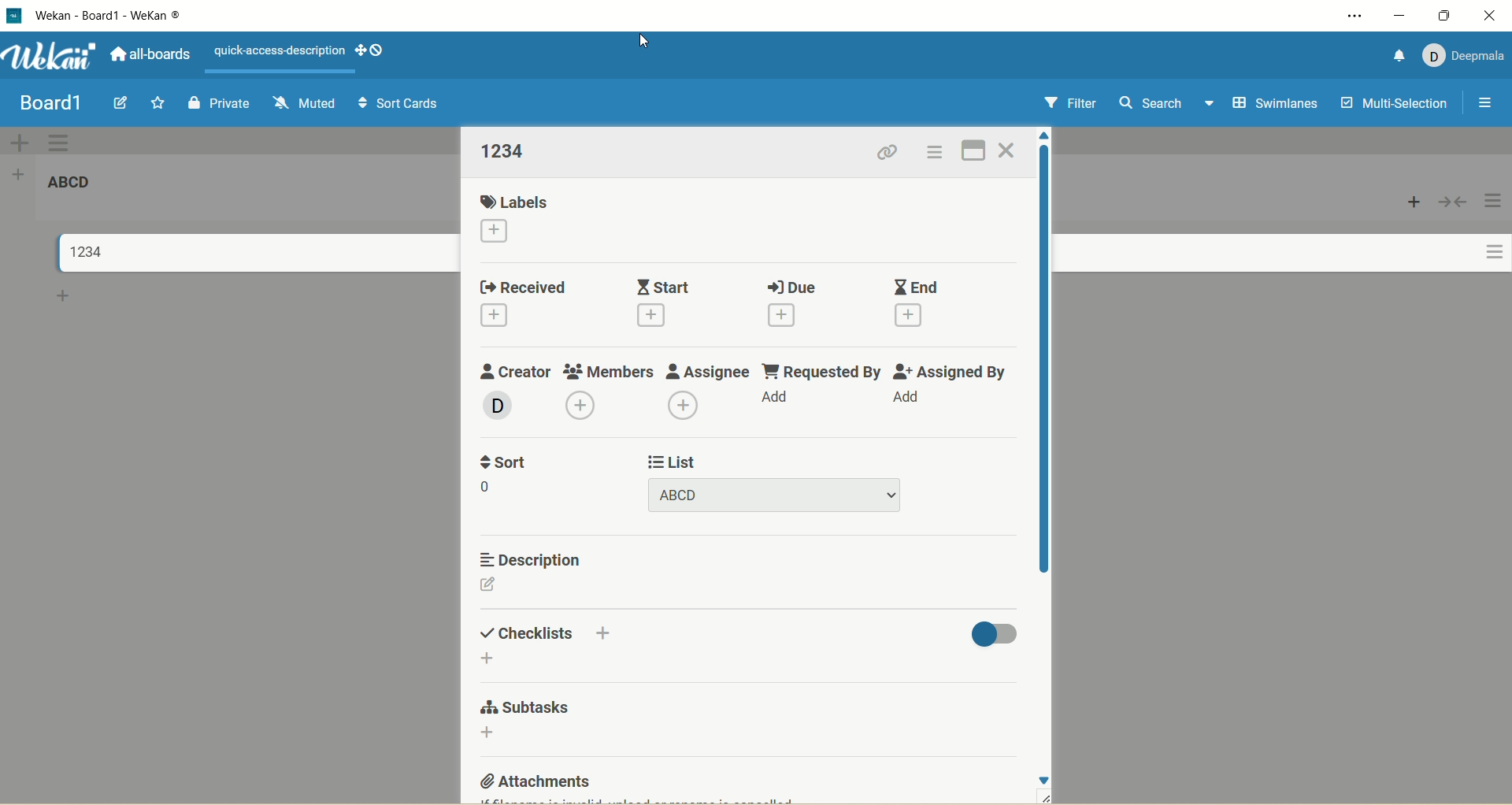  Describe the element at coordinates (220, 102) in the screenshot. I see `private` at that location.